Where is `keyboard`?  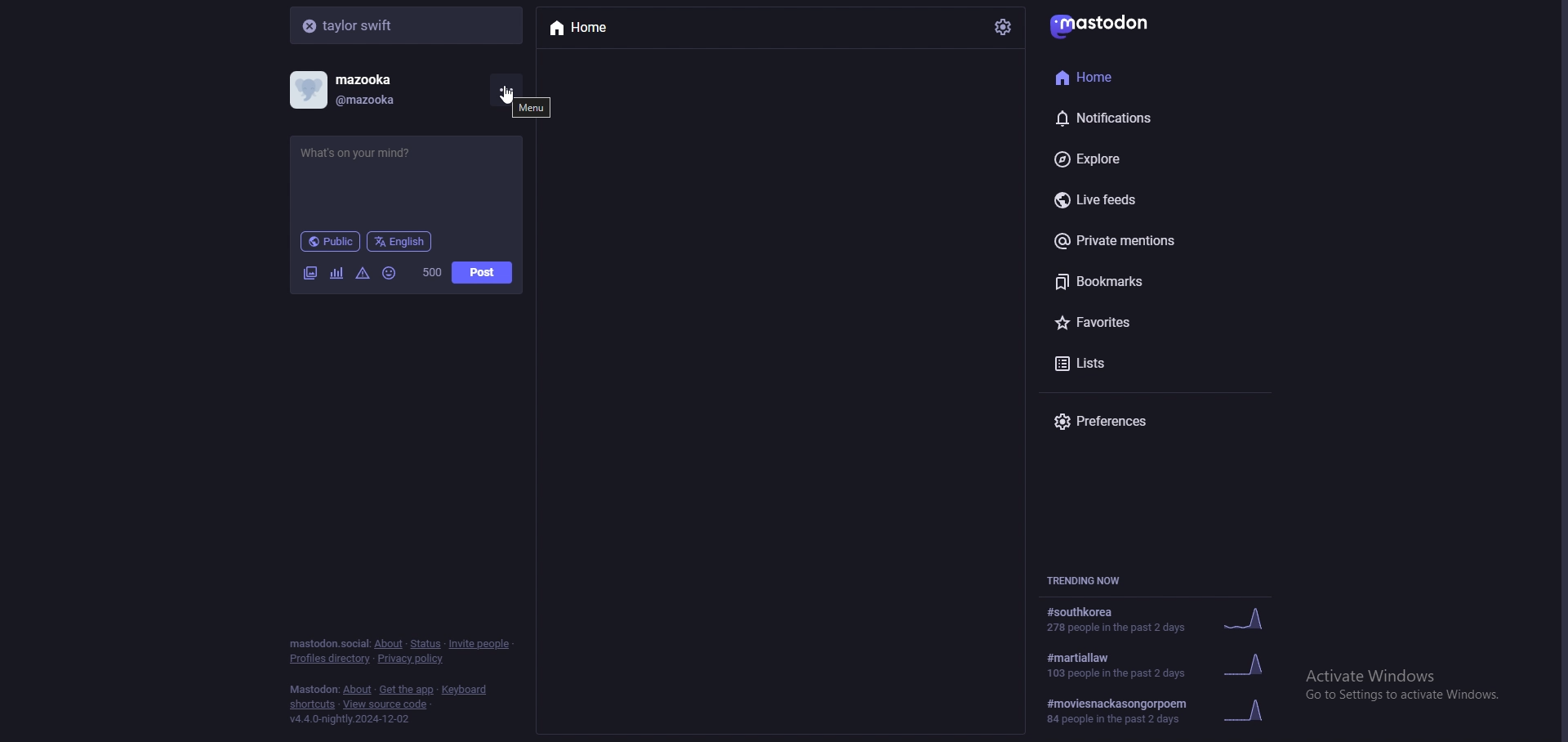
keyboard is located at coordinates (465, 689).